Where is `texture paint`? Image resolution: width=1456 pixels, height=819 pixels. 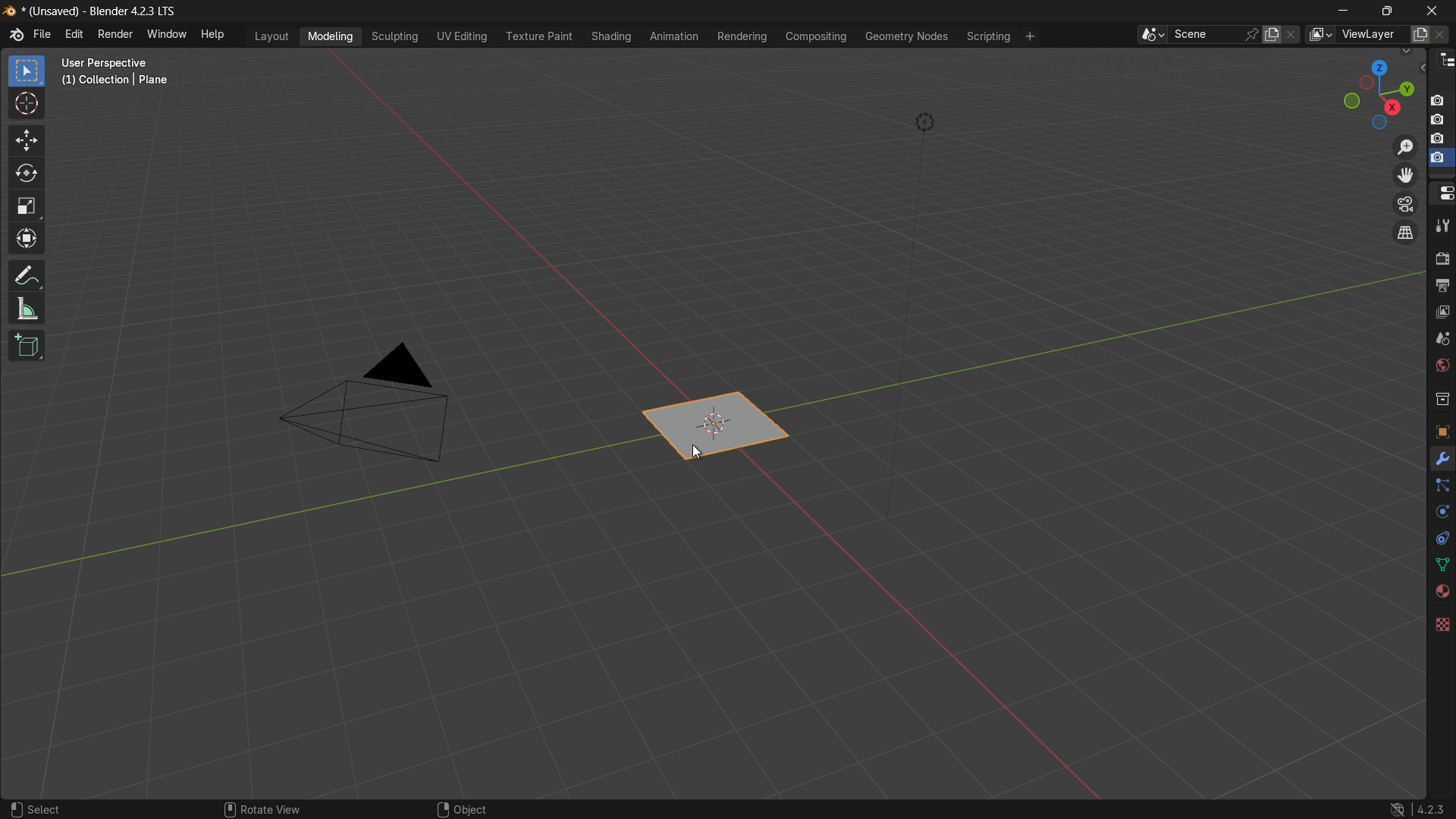
texture paint is located at coordinates (539, 36).